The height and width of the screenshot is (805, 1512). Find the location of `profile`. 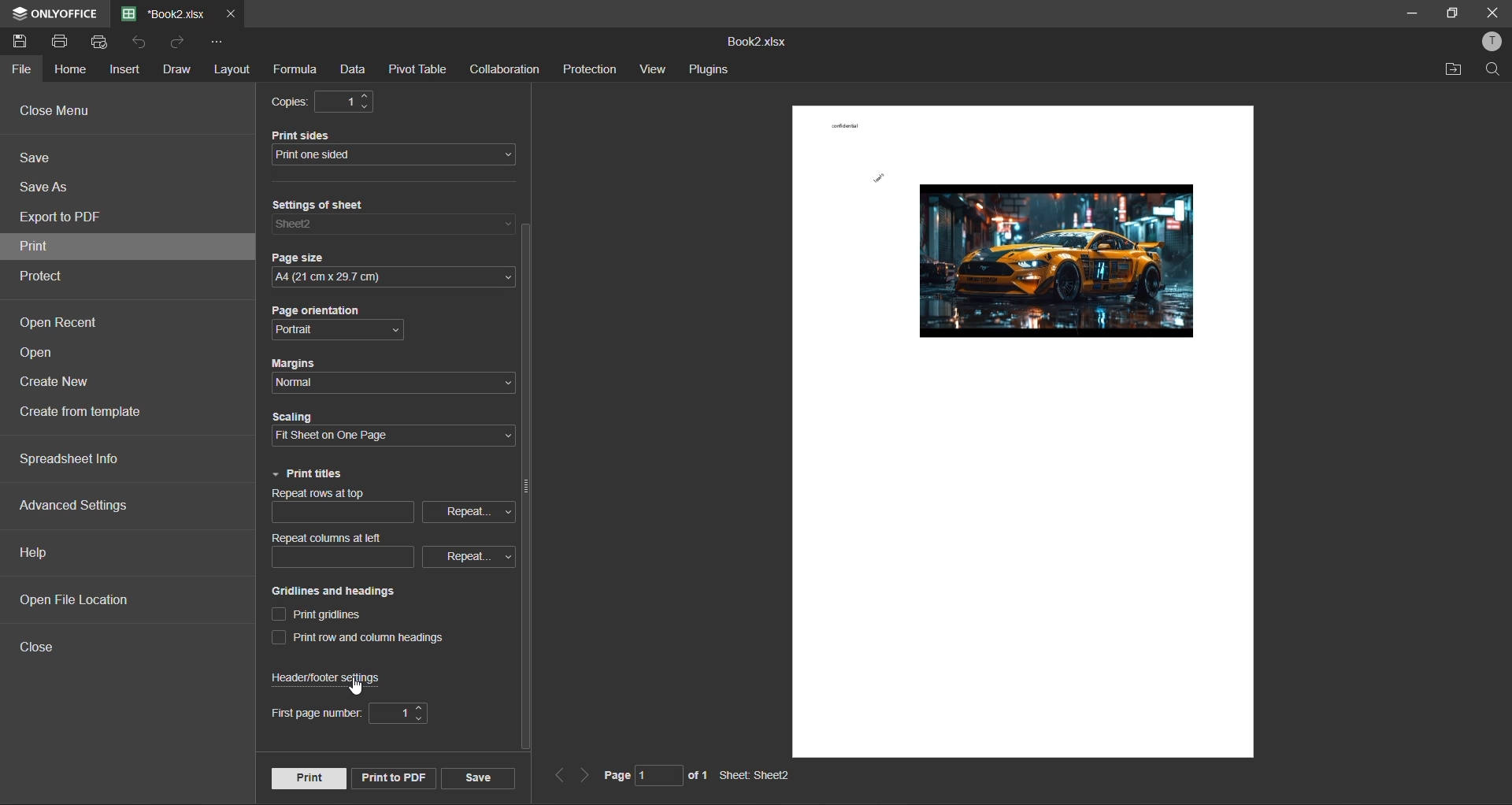

profile is located at coordinates (1493, 41).